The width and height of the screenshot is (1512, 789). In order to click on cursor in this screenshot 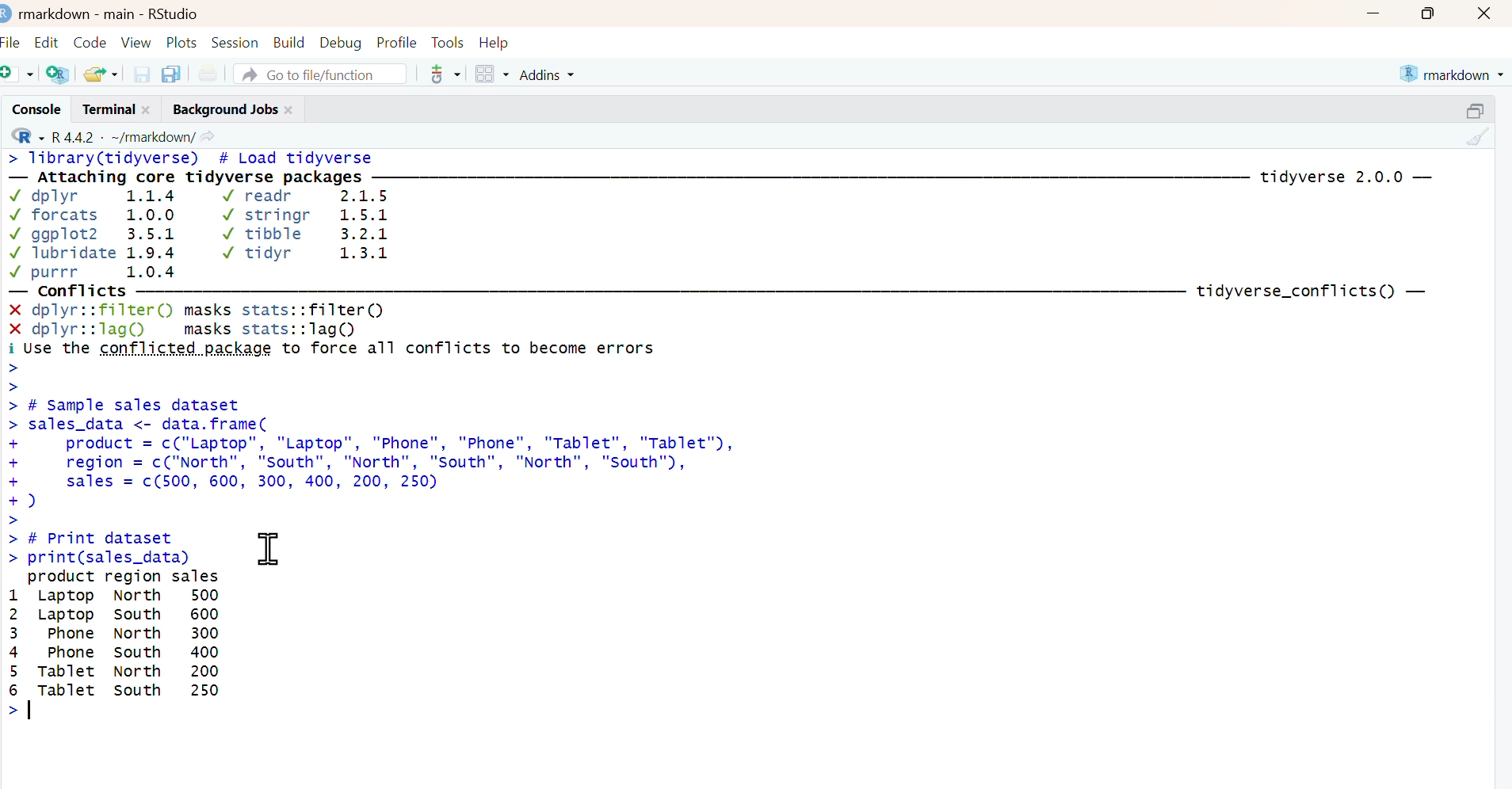, I will do `click(269, 549)`.